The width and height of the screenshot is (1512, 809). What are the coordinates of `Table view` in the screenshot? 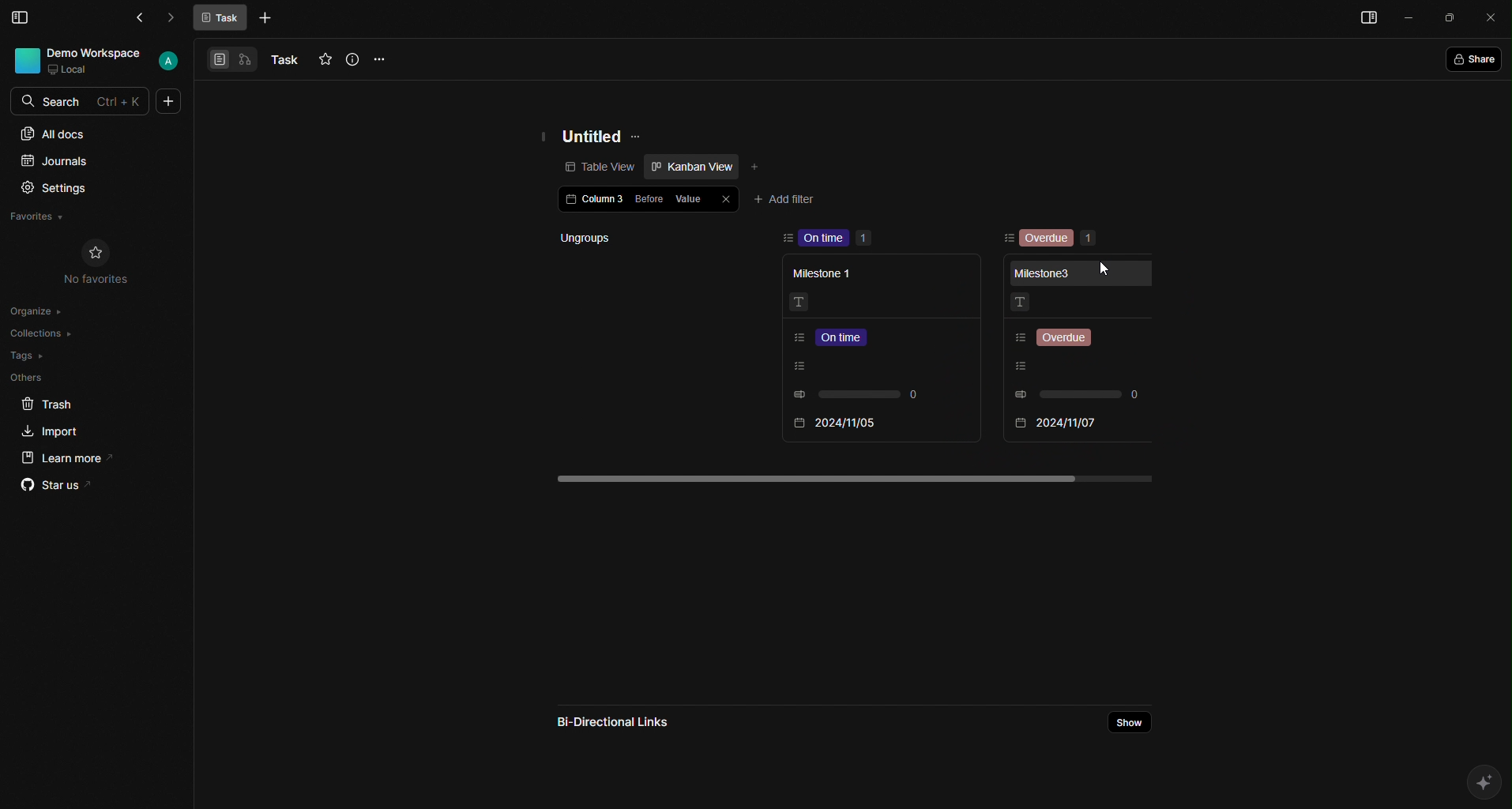 It's located at (579, 167).